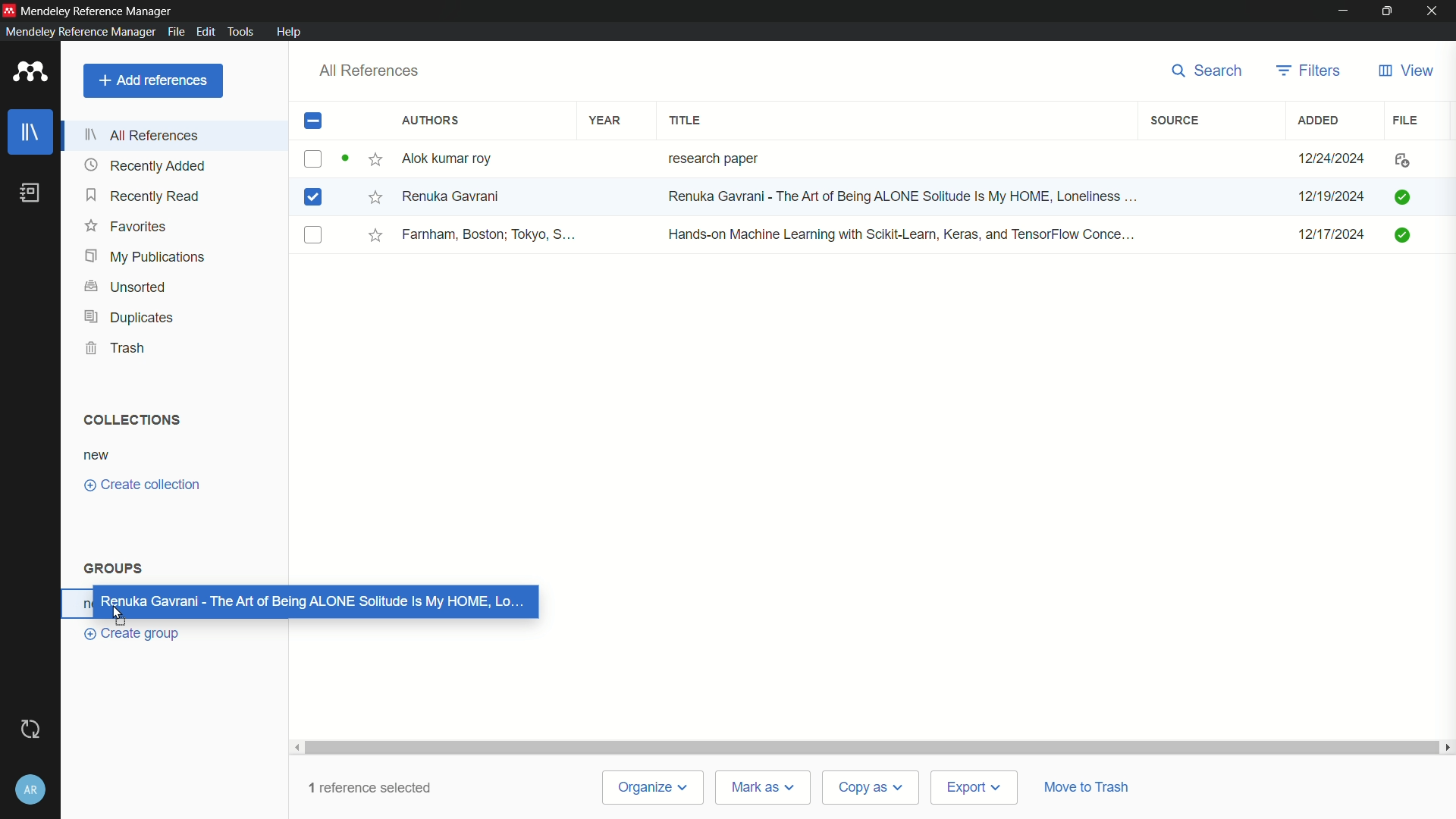 The height and width of the screenshot is (819, 1456). What do you see at coordinates (1090, 784) in the screenshot?
I see `move to trash` at bounding box center [1090, 784].